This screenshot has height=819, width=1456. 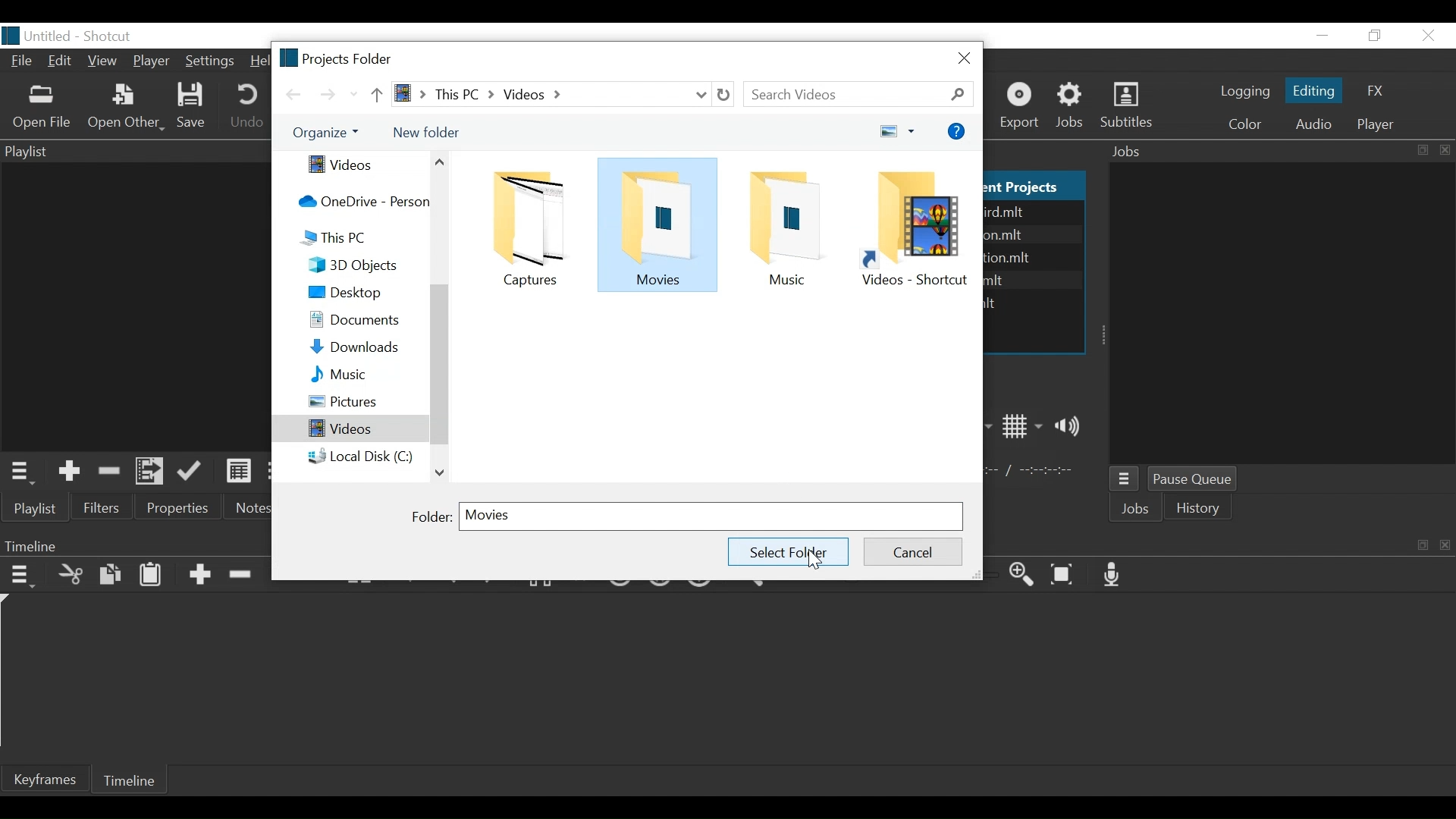 I want to click on Shotcut, so click(x=110, y=35).